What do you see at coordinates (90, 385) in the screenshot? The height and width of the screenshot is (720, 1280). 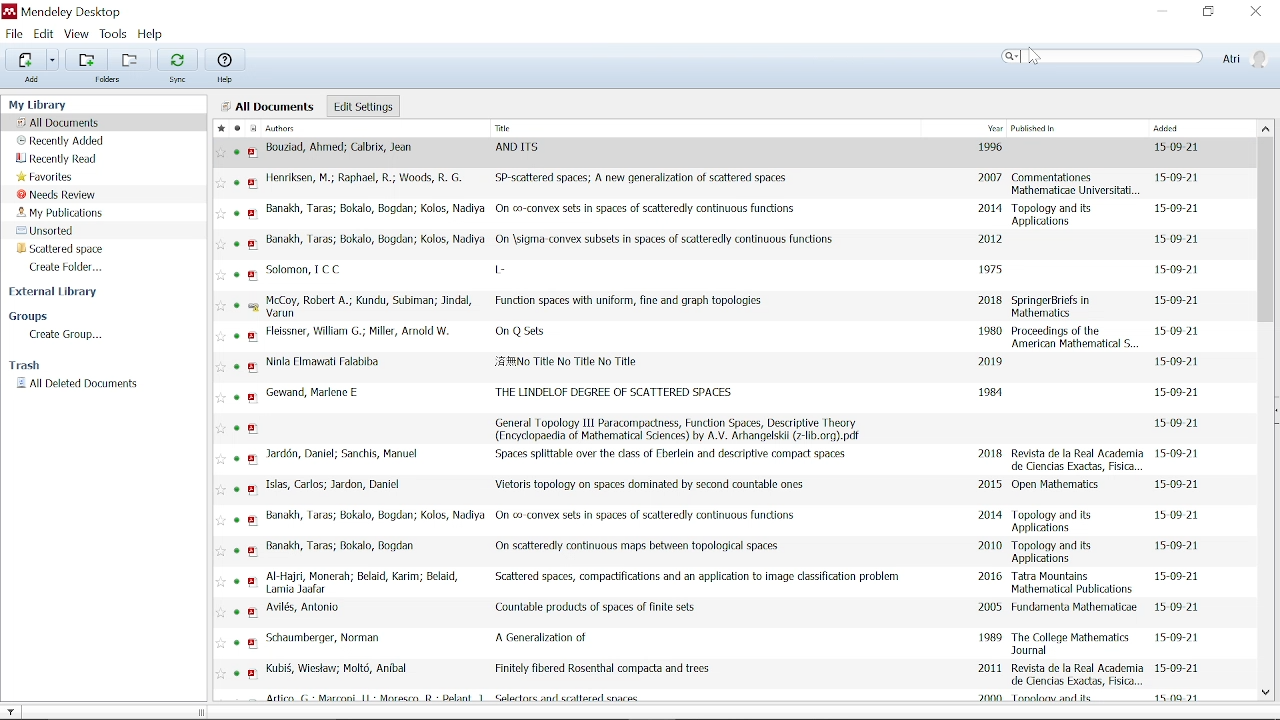 I see `All deleted documents` at bounding box center [90, 385].